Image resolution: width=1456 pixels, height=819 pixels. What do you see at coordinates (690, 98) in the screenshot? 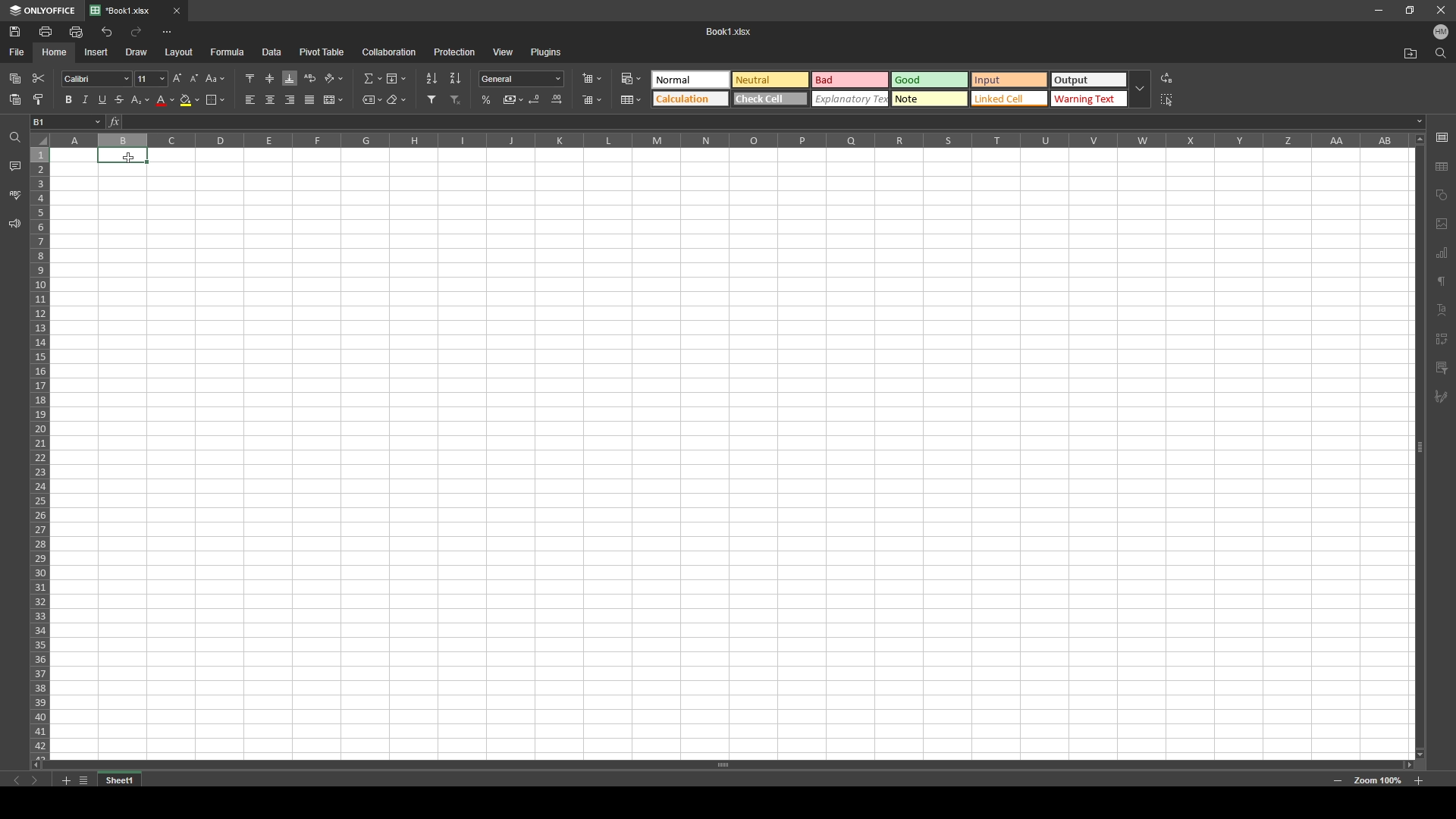
I see `Calculation` at bounding box center [690, 98].